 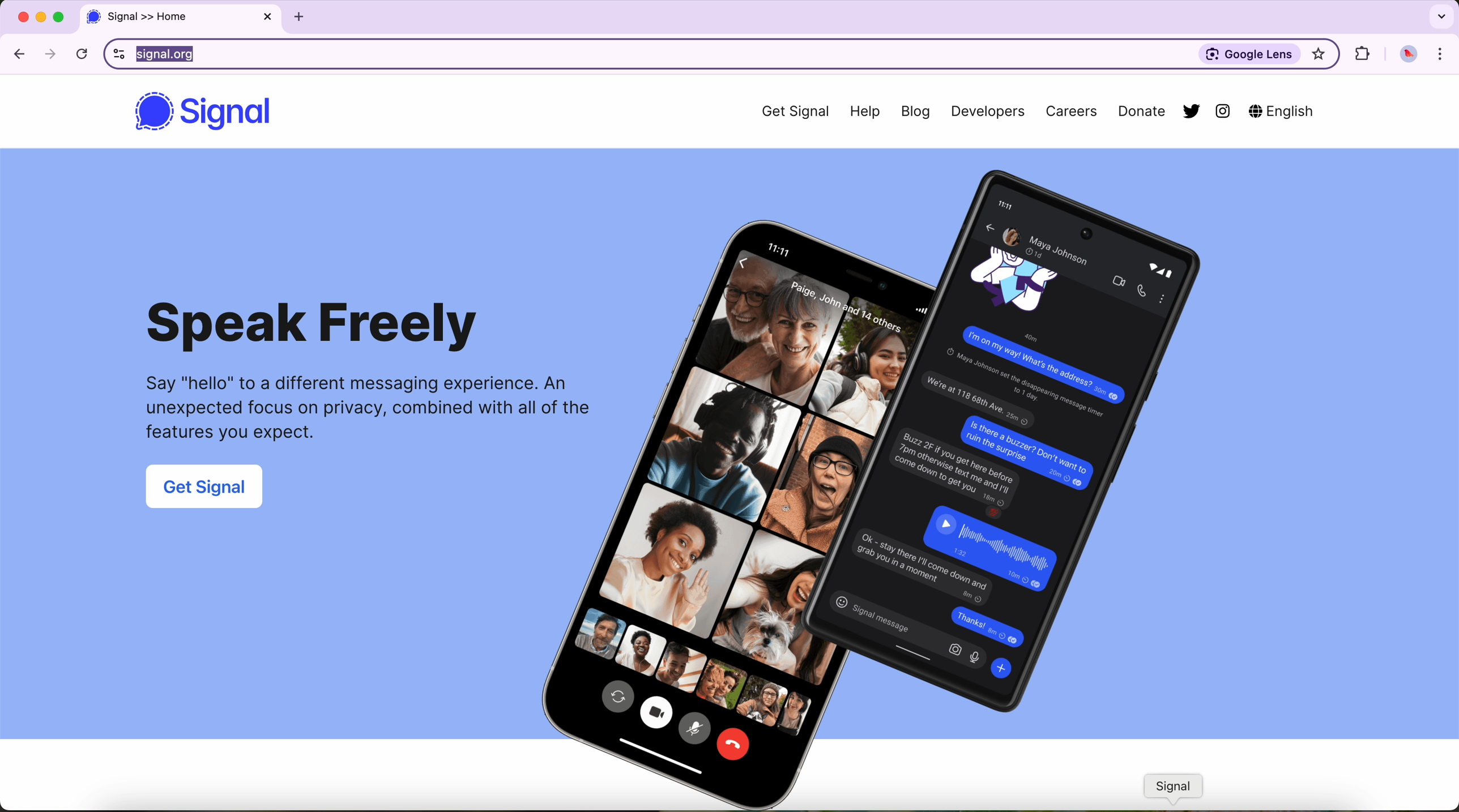 What do you see at coordinates (1189, 110) in the screenshot?
I see `twitter` at bounding box center [1189, 110].